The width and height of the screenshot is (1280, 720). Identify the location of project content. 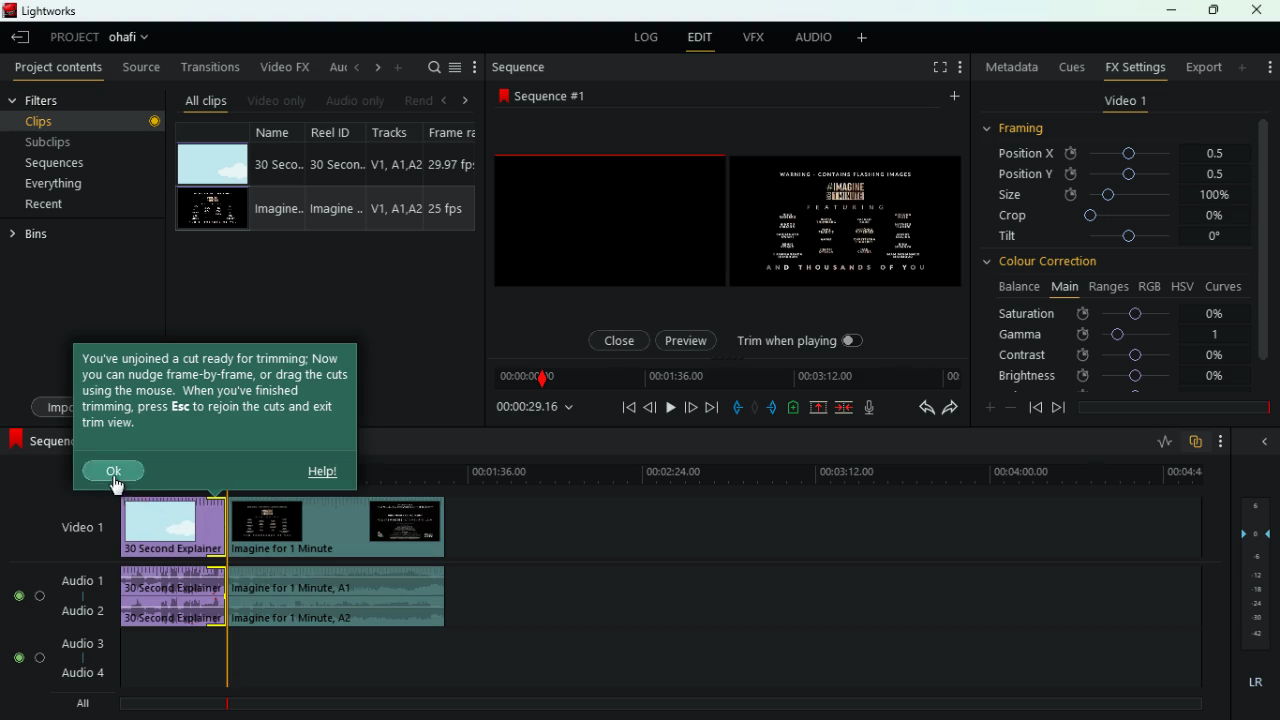
(59, 69).